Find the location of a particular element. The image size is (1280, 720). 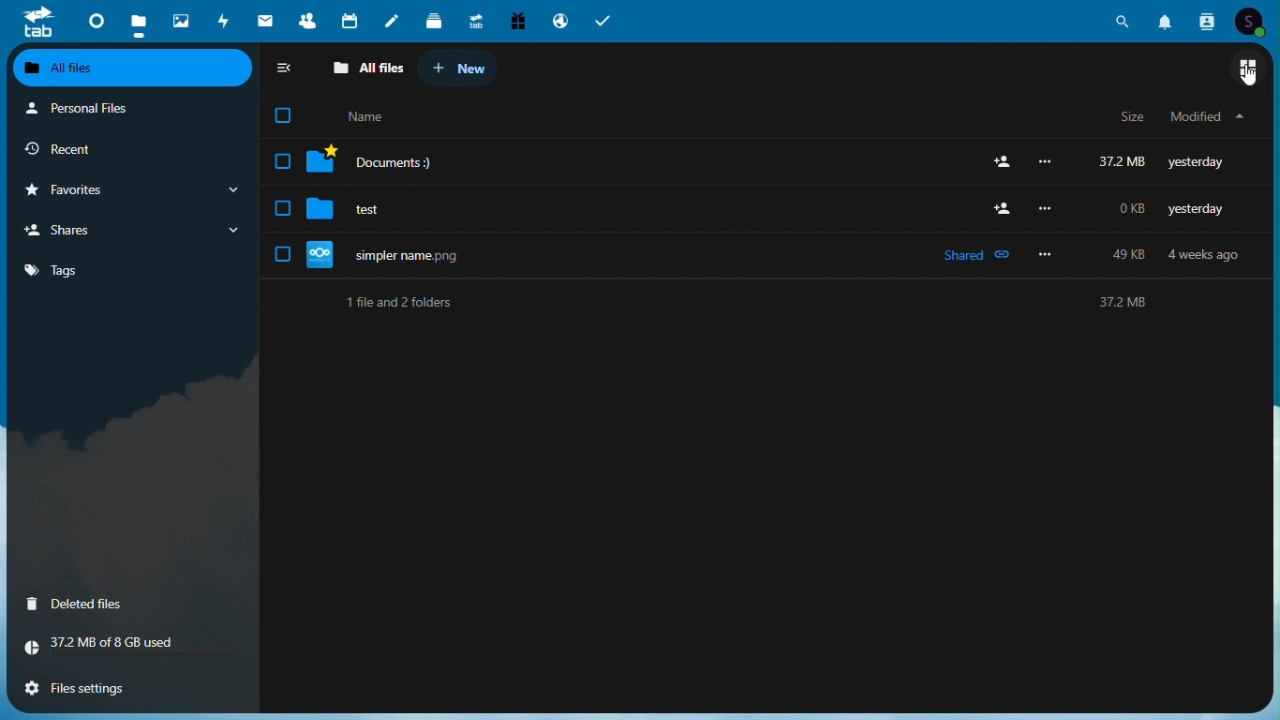

upgrade is located at coordinates (475, 19).